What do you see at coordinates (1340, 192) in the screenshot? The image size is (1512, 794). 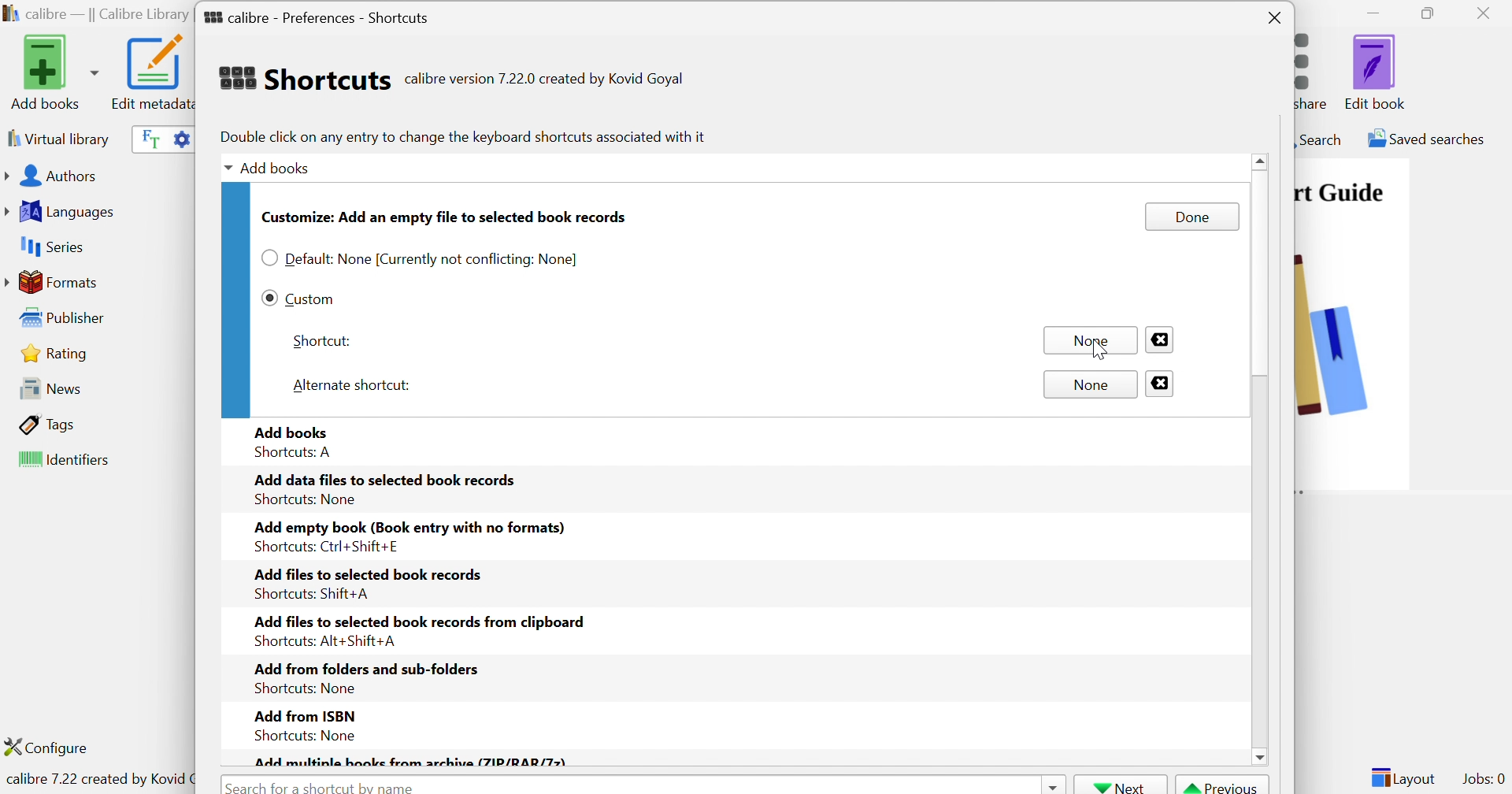 I see `Quick Start Guide` at bounding box center [1340, 192].